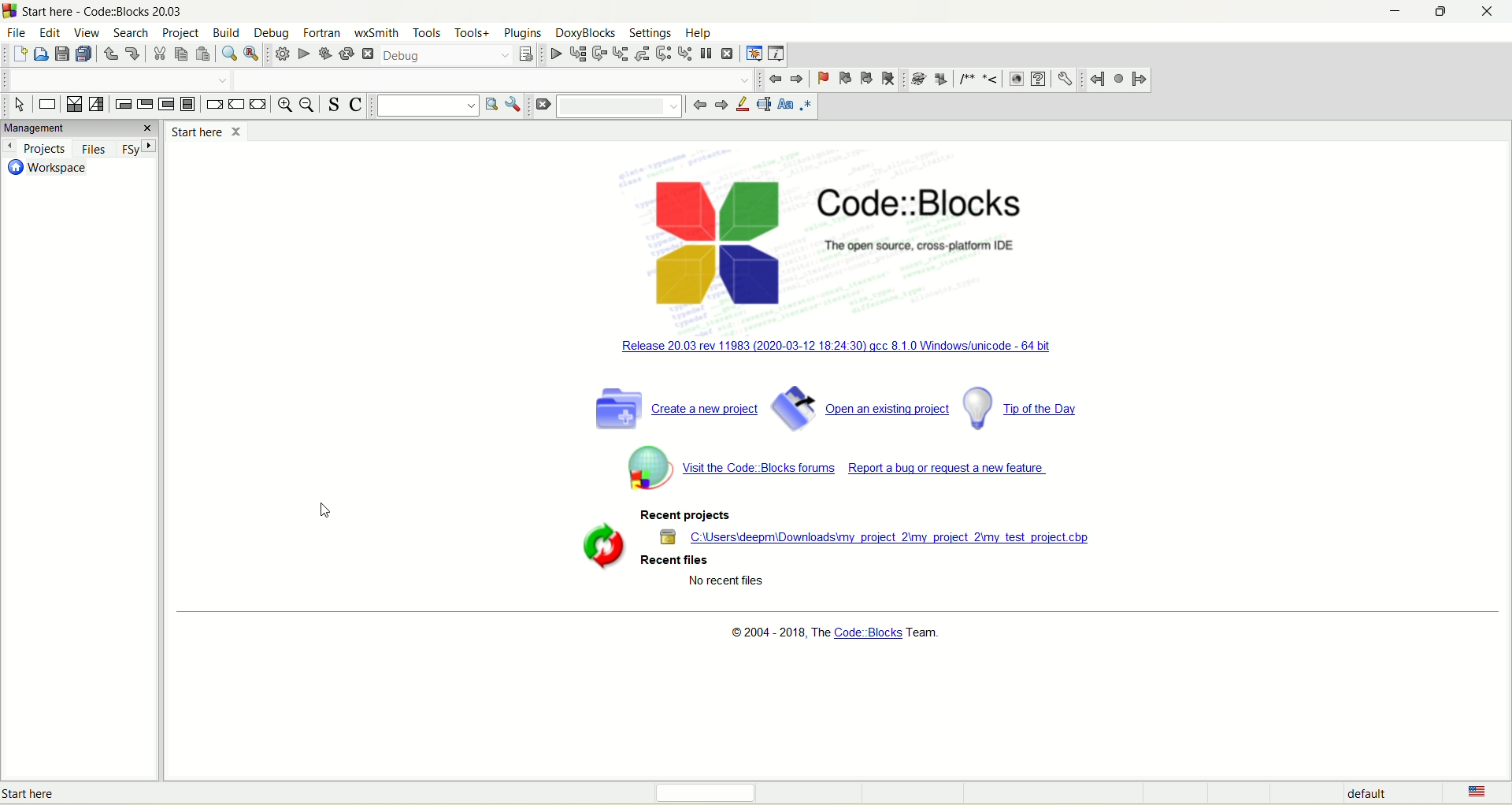 This screenshot has width=1512, height=805. Describe the element at coordinates (542, 106) in the screenshot. I see `clear` at that location.